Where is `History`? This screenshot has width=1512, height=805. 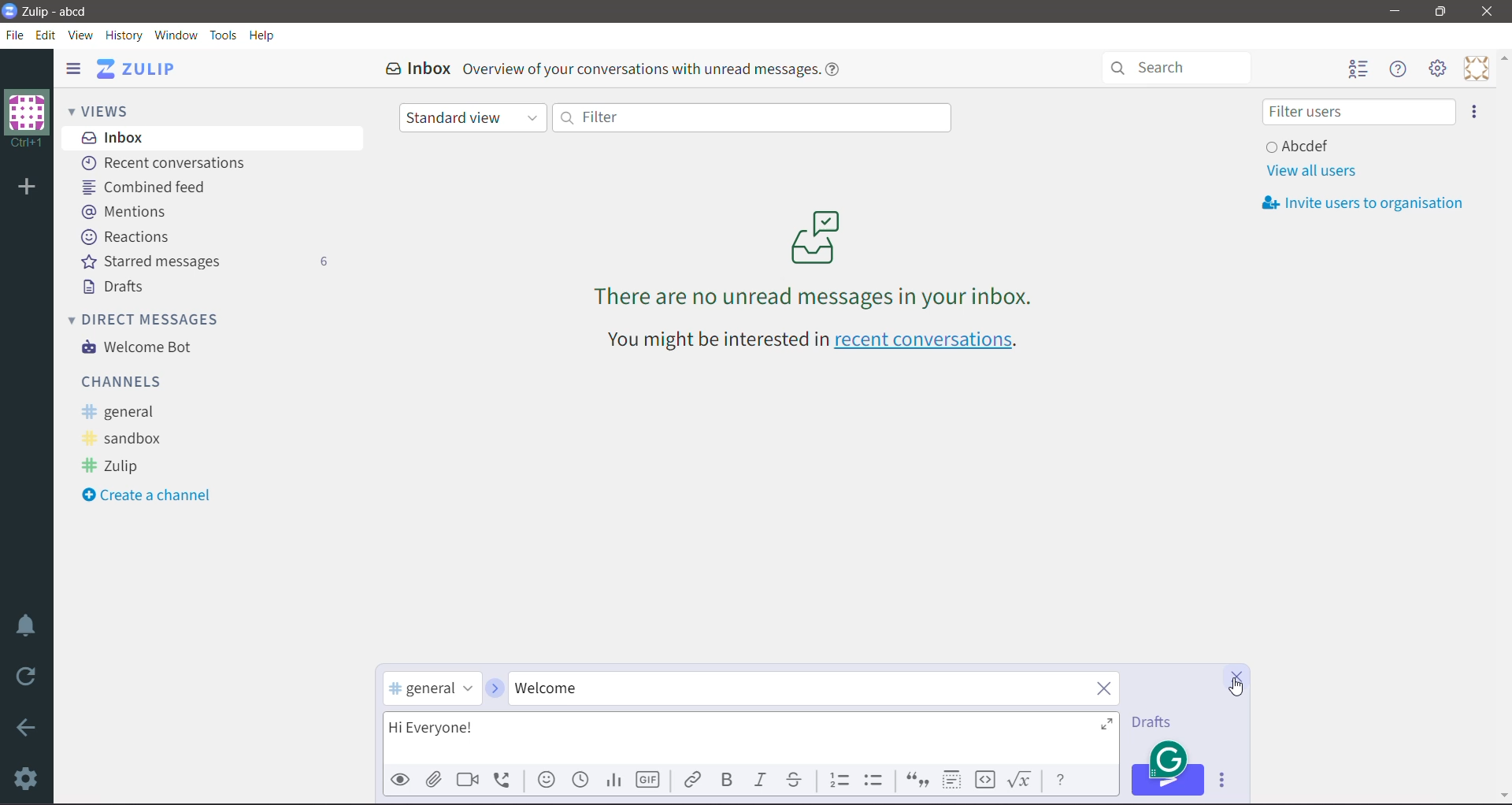
History is located at coordinates (125, 36).